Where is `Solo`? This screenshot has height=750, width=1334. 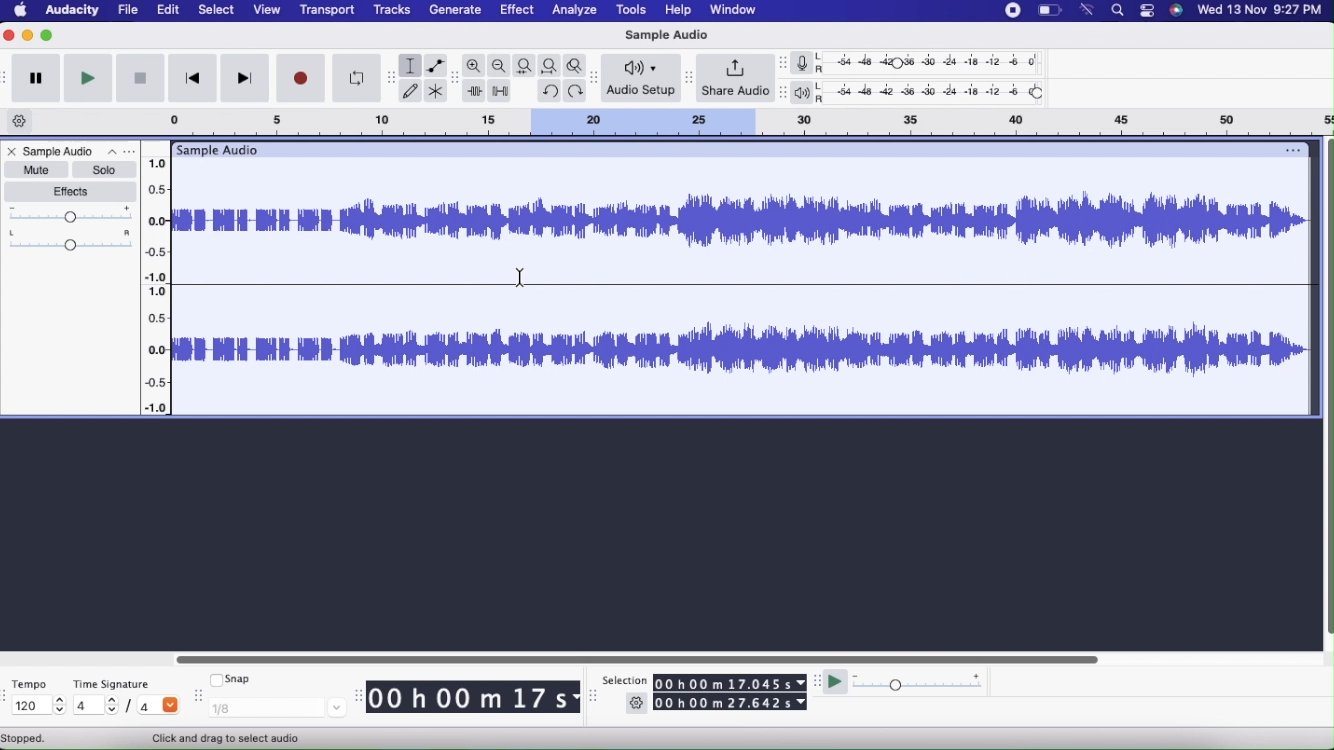
Solo is located at coordinates (104, 170).